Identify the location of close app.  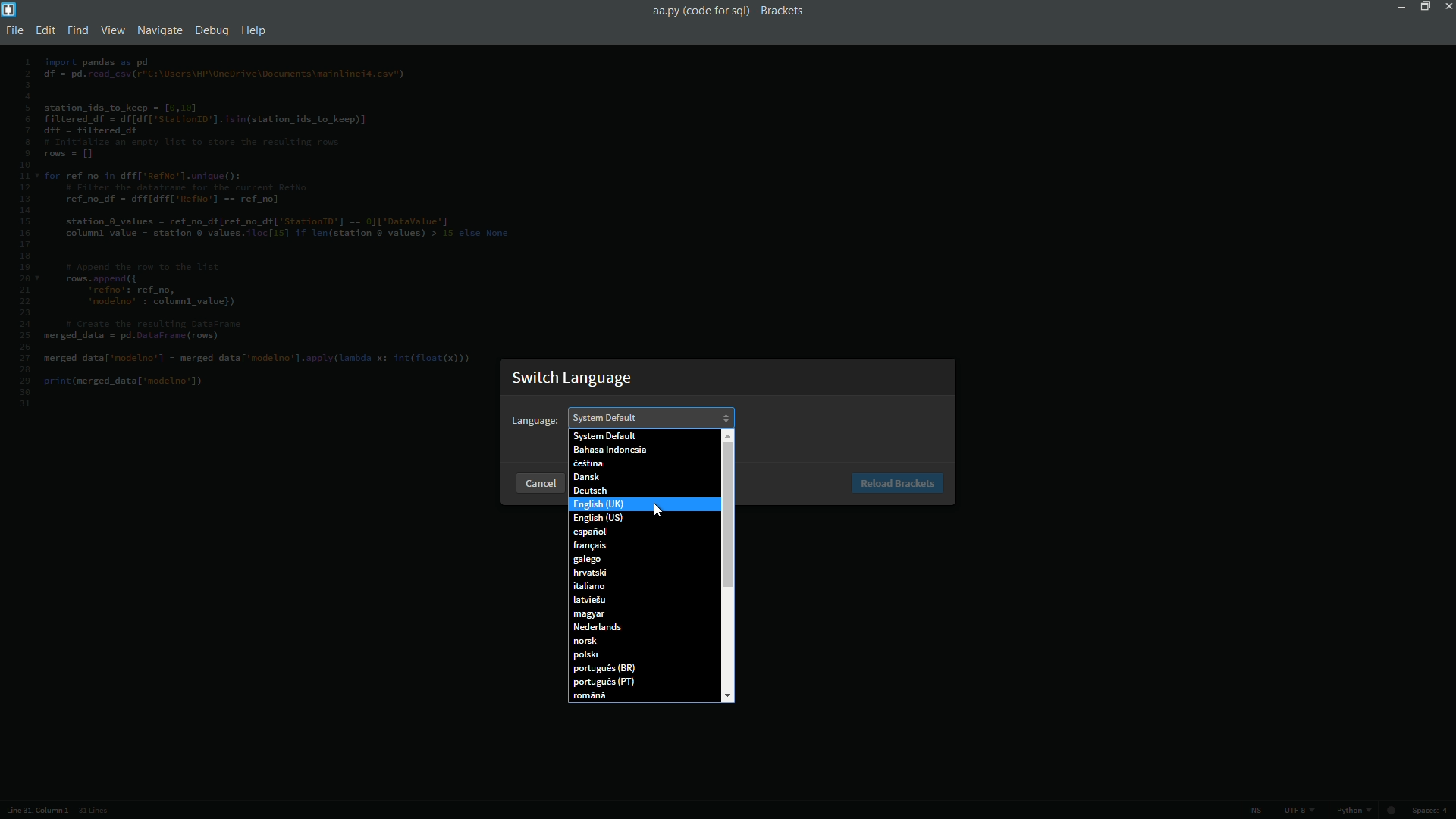
(1447, 6).